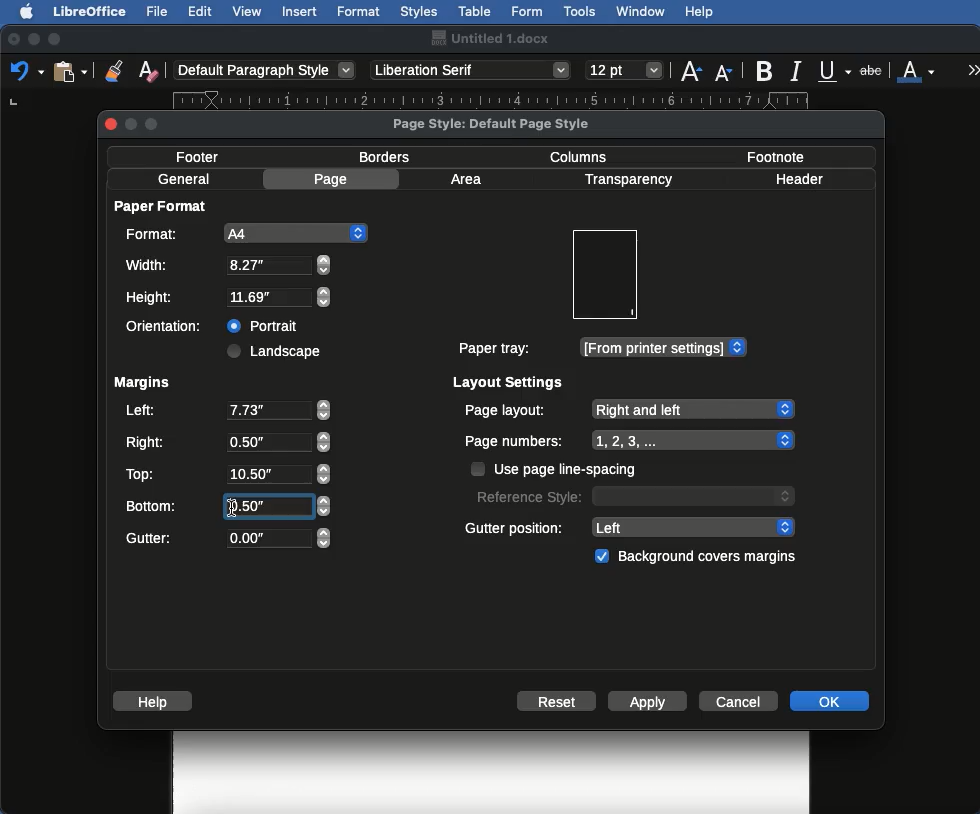 The image size is (980, 814). What do you see at coordinates (26, 70) in the screenshot?
I see `Undo` at bounding box center [26, 70].